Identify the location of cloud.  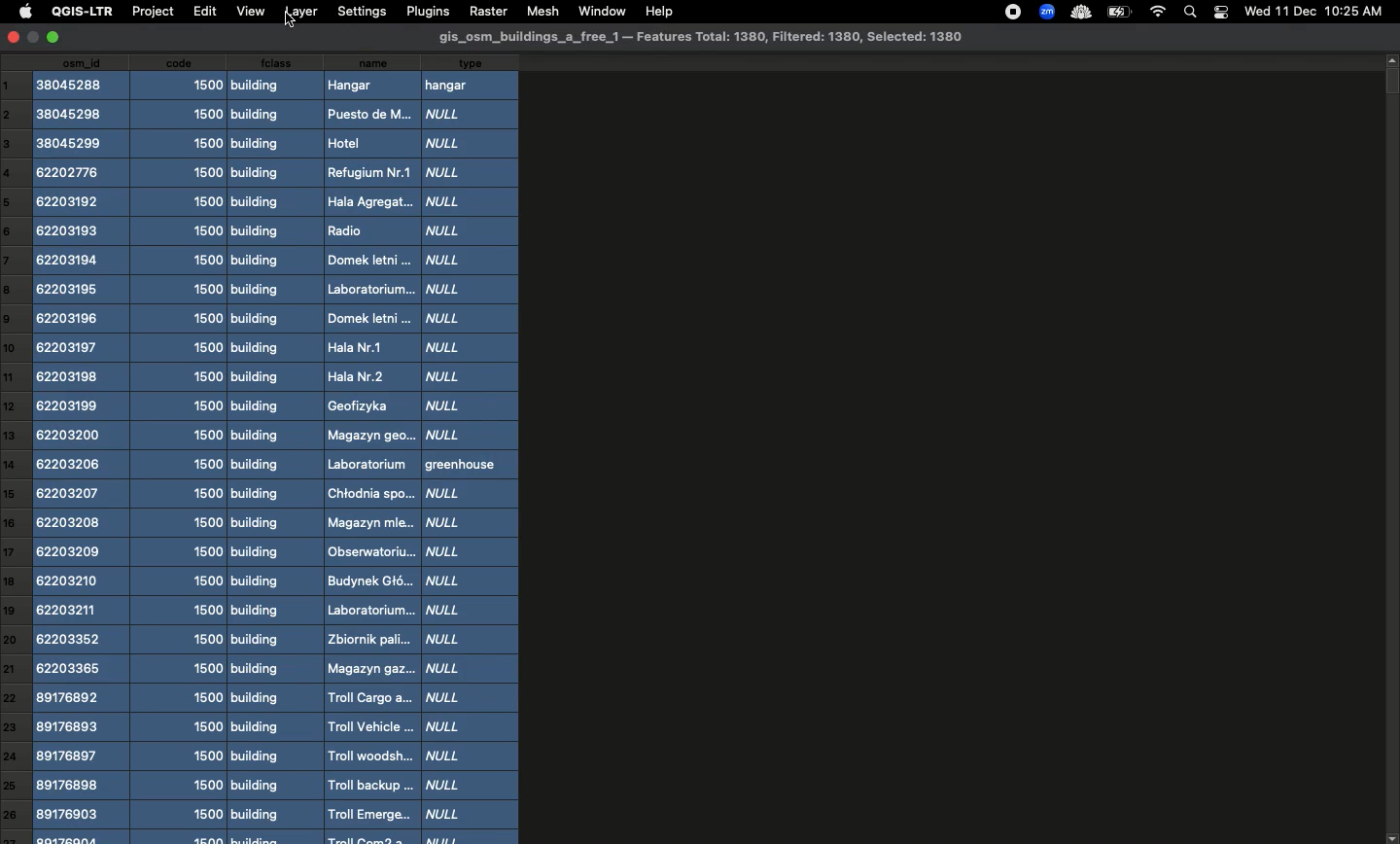
(1079, 11).